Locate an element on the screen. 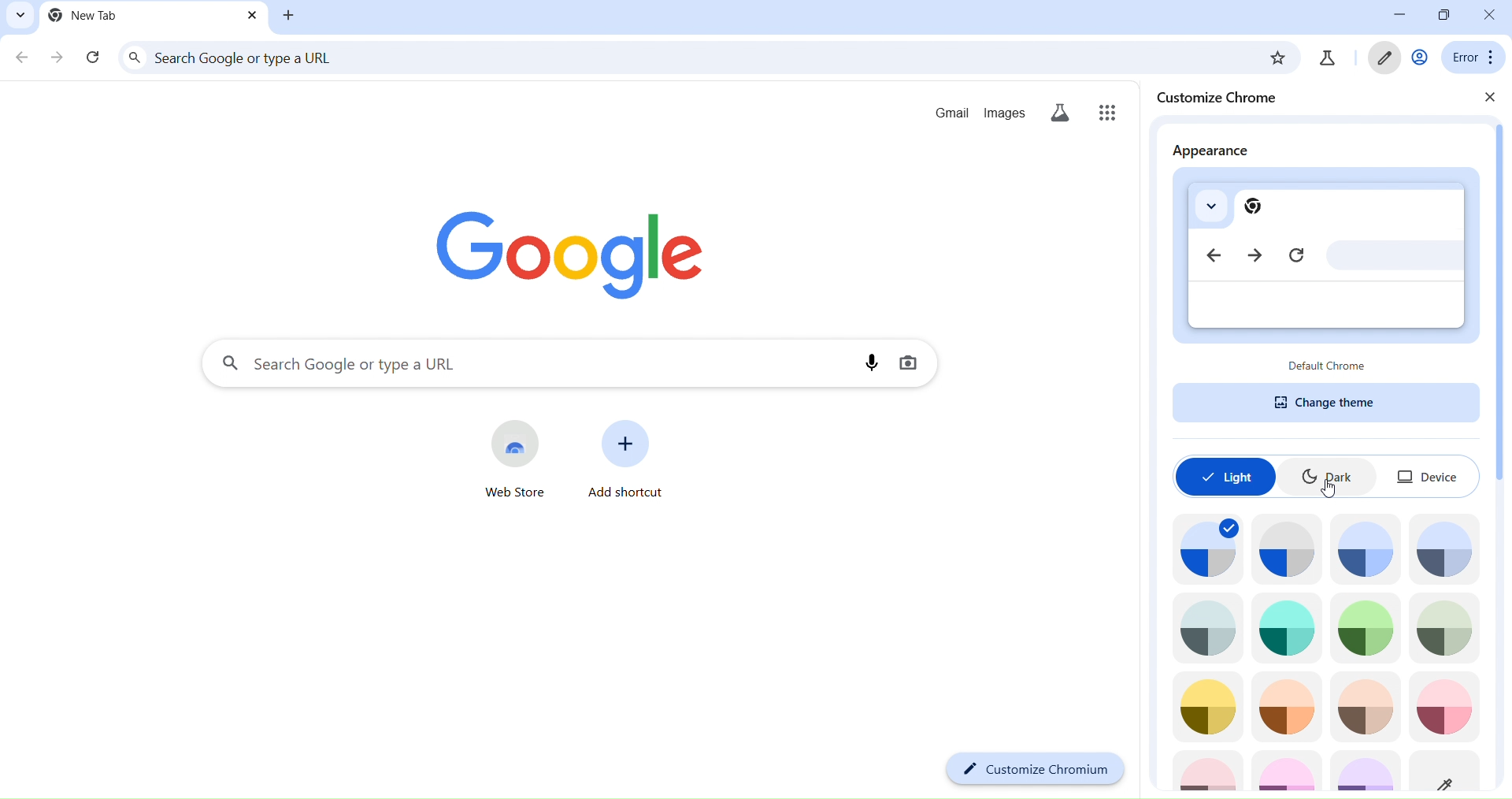 This screenshot has height=799, width=1512. search labs is located at coordinates (1060, 110).